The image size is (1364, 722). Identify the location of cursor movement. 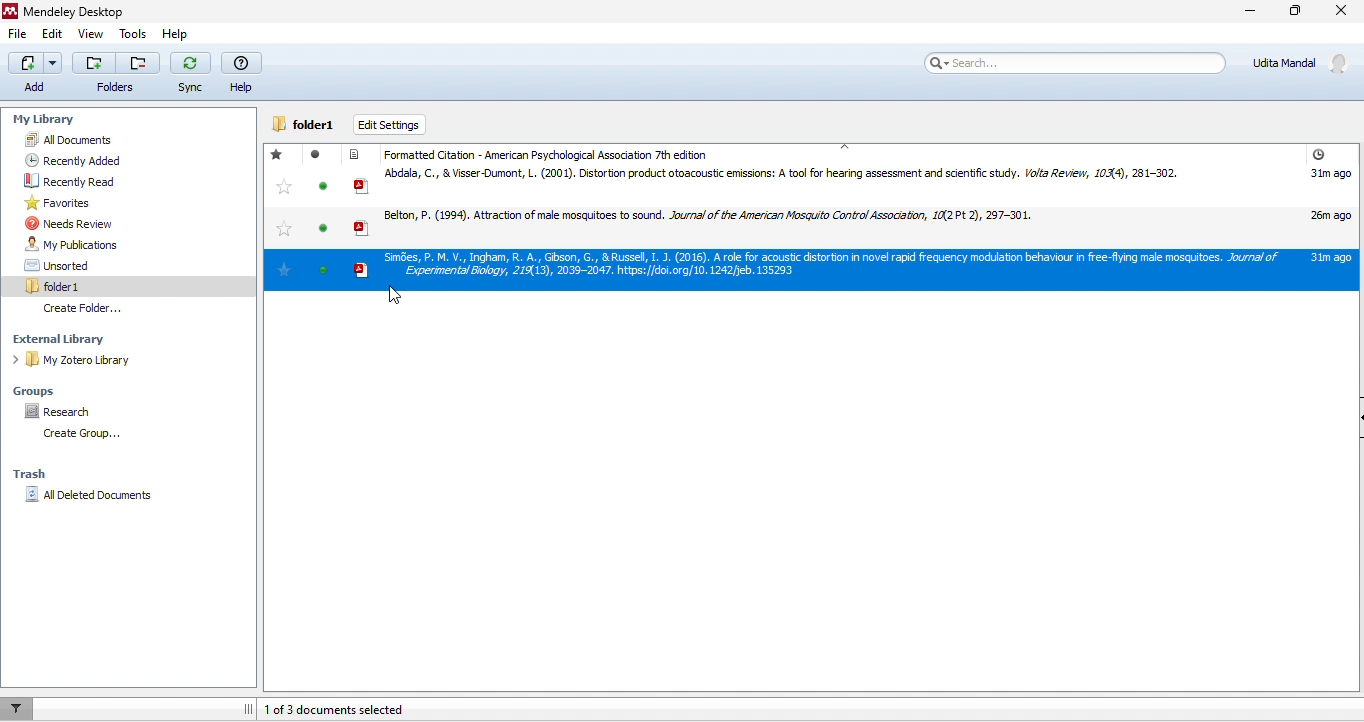
(395, 297).